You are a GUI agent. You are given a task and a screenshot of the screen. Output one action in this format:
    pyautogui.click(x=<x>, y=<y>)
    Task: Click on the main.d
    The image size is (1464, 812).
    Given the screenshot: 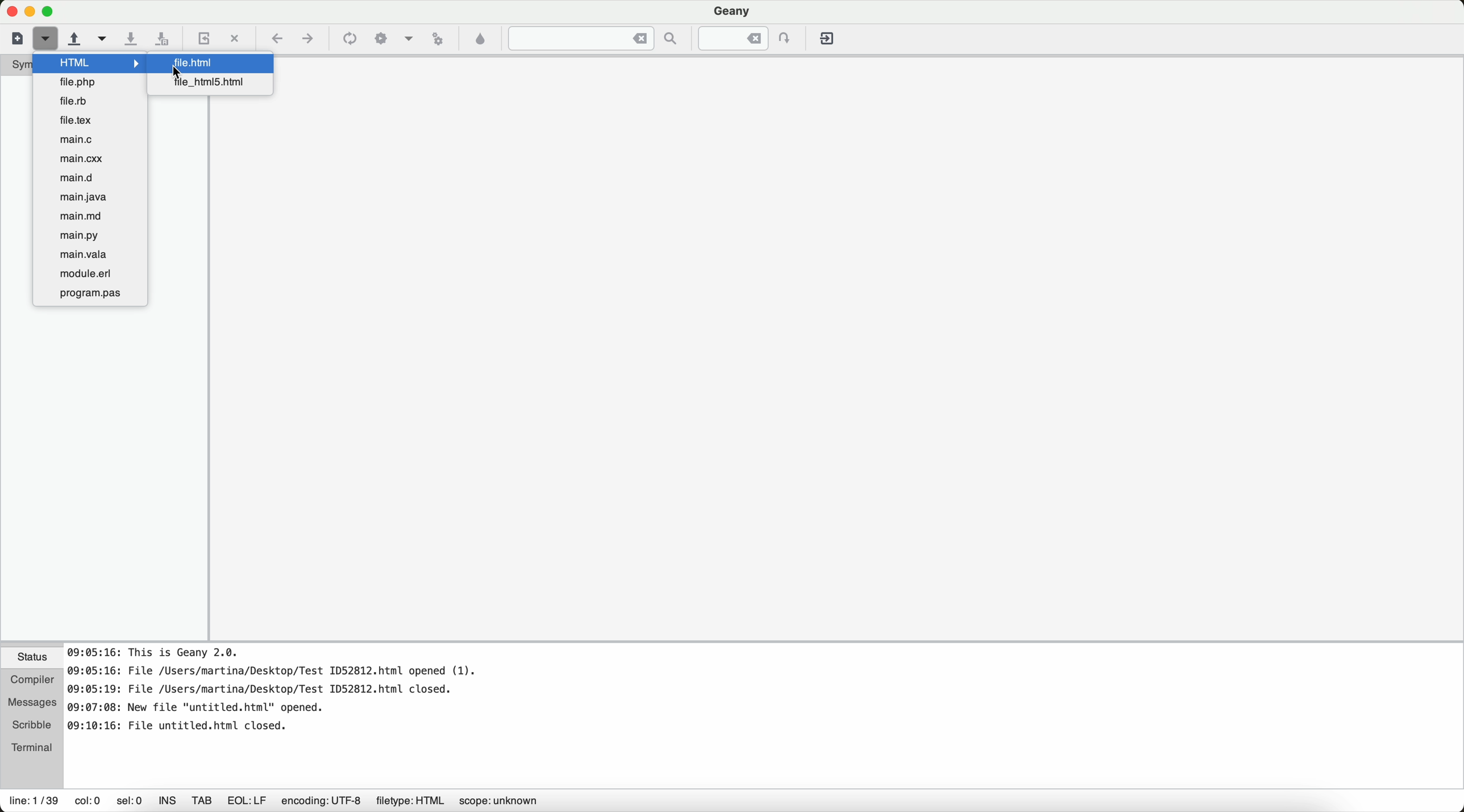 What is the action you would take?
    pyautogui.click(x=90, y=179)
    